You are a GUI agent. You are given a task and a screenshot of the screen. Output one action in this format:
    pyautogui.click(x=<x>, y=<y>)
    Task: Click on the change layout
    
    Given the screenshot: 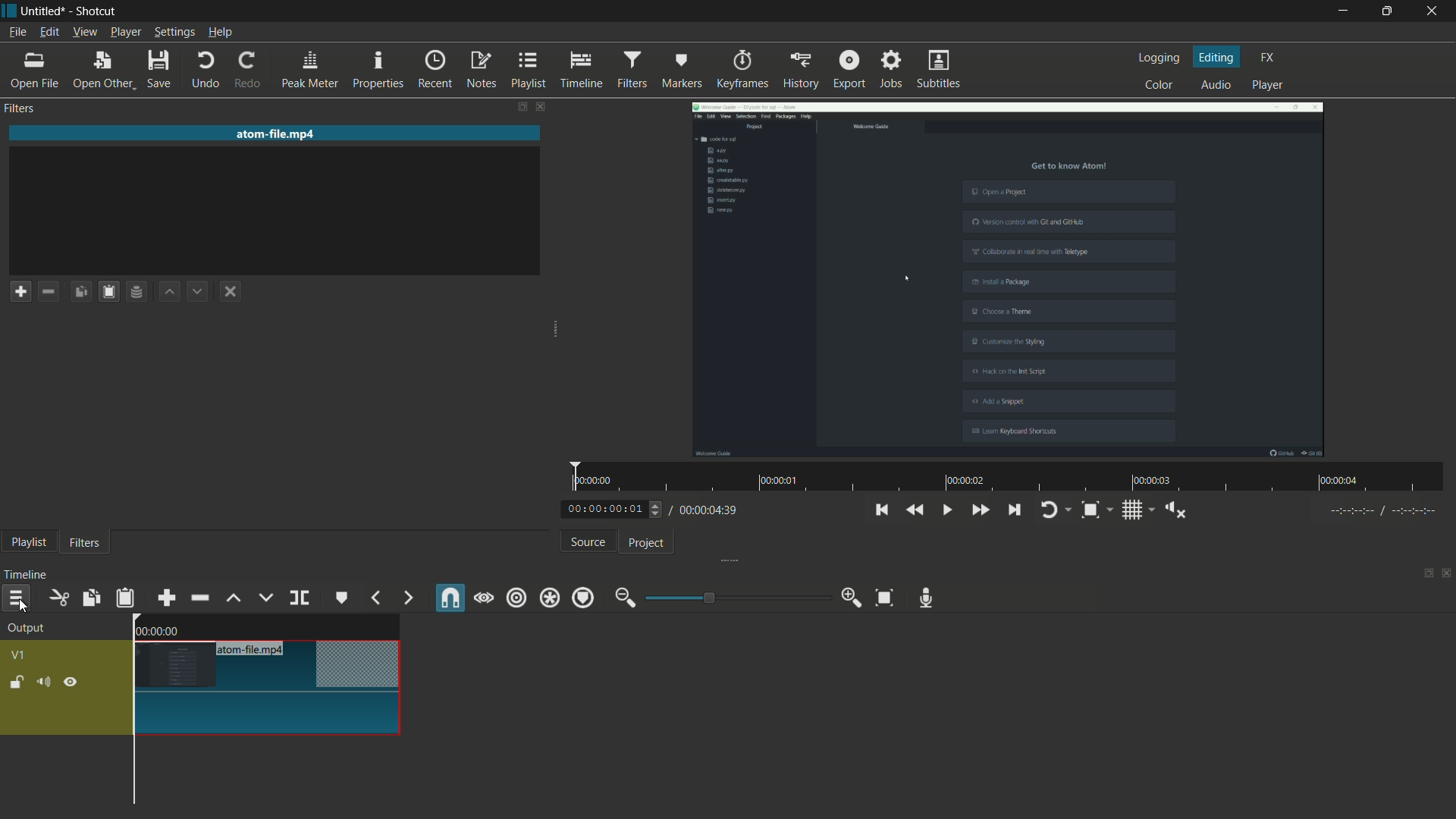 What is the action you would take?
    pyautogui.click(x=521, y=106)
    